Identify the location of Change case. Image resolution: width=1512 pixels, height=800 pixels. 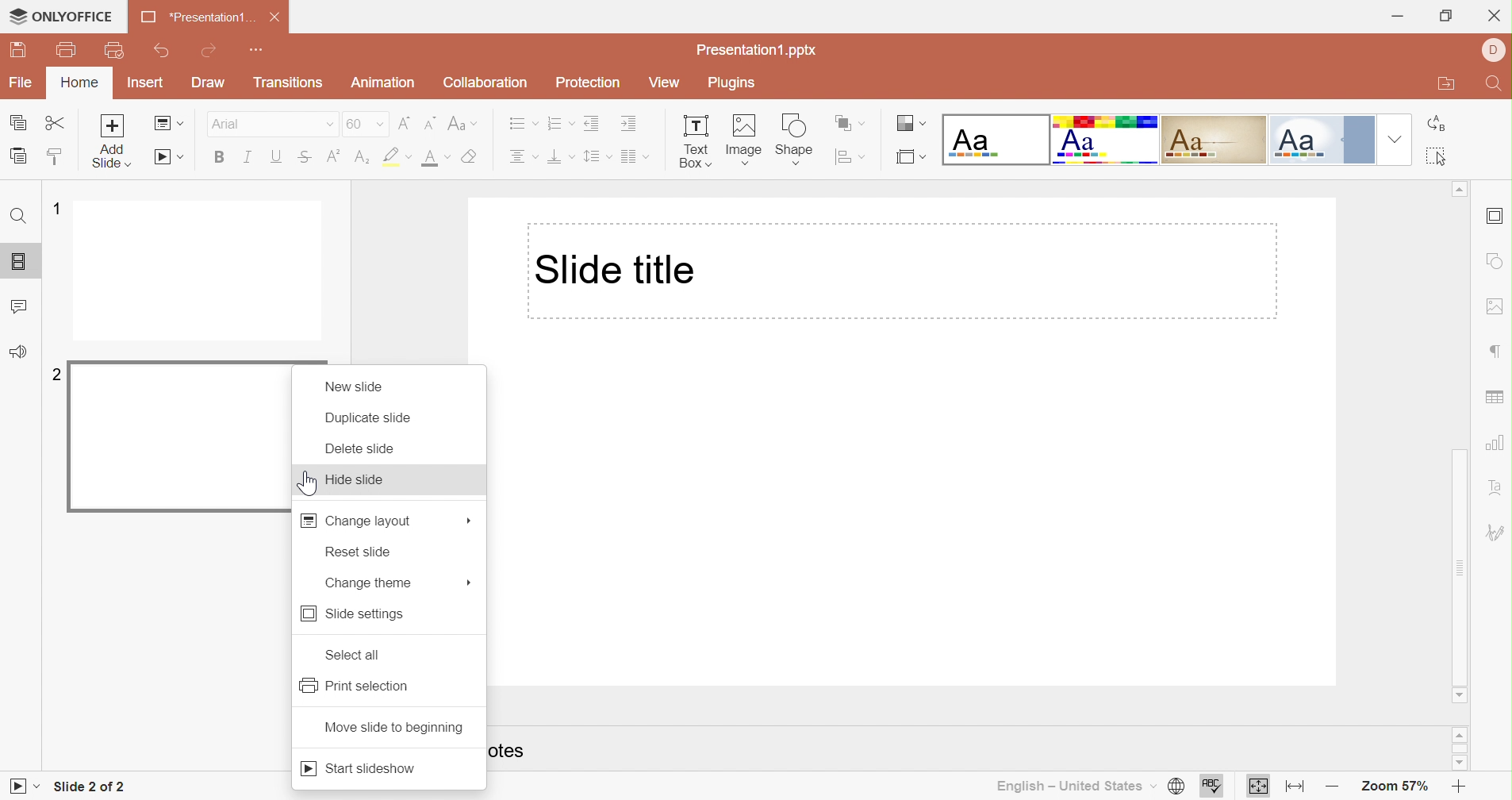
(462, 122).